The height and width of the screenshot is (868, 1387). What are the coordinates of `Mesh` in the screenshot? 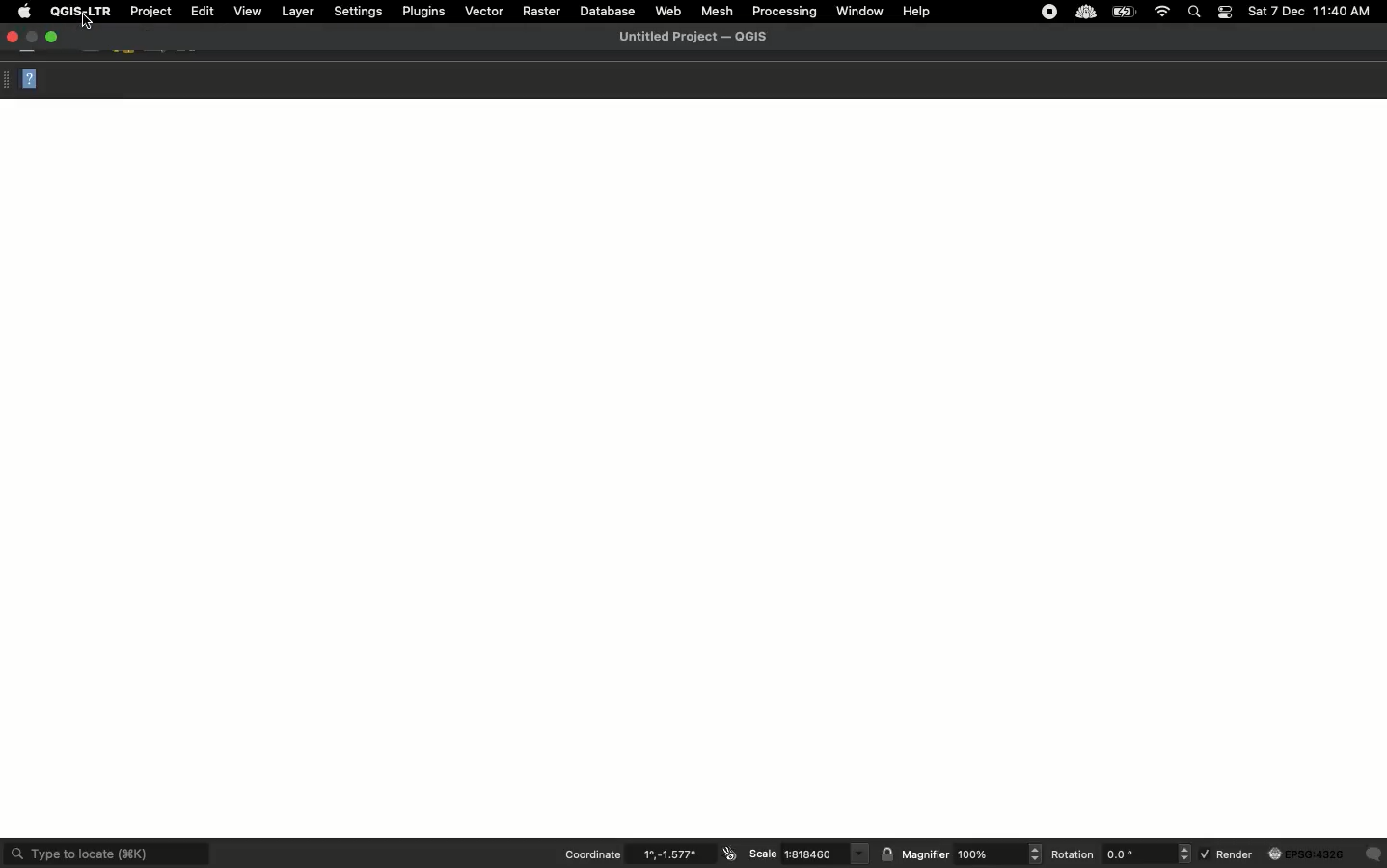 It's located at (716, 10).